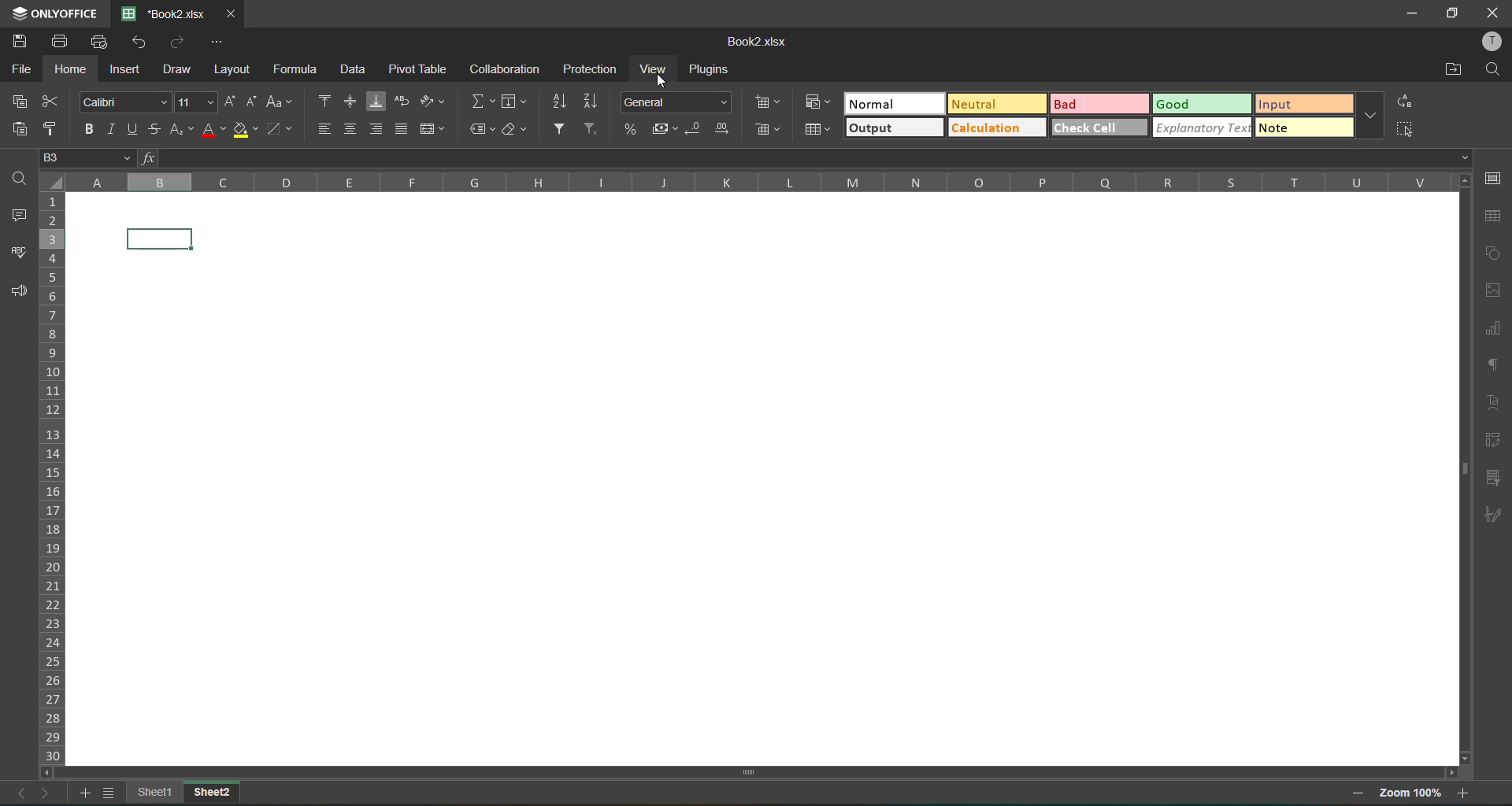  Describe the element at coordinates (758, 182) in the screenshot. I see `column names in alphabets` at that location.